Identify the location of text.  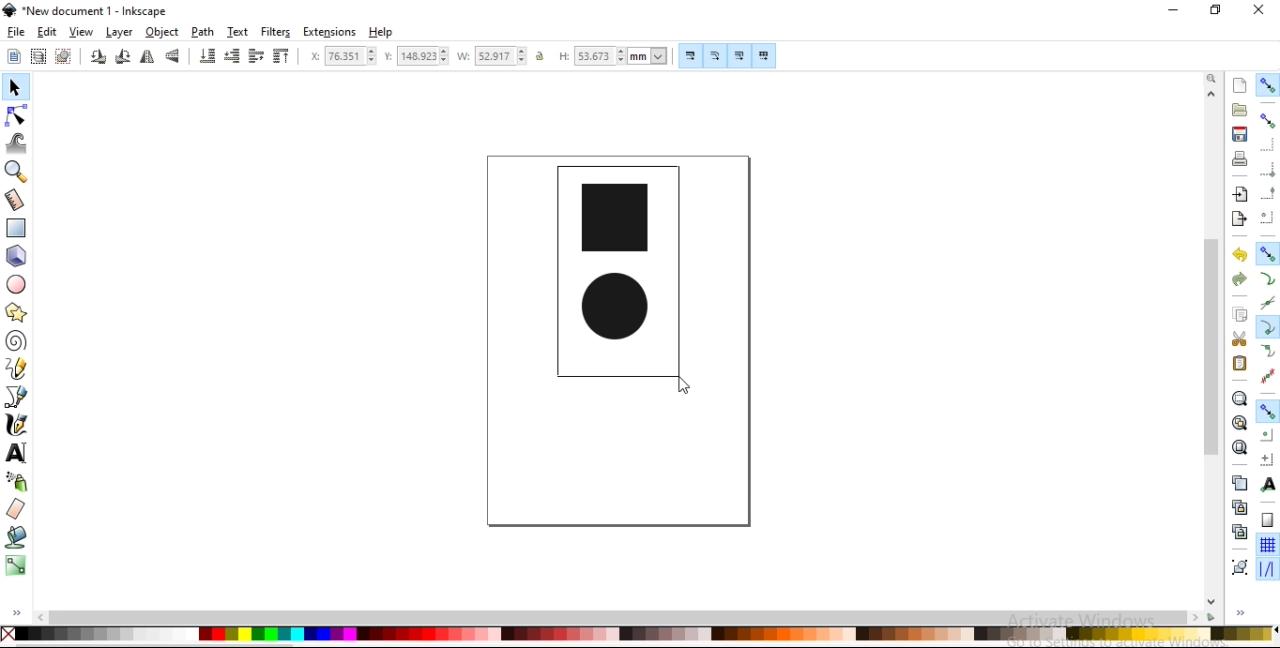
(239, 31).